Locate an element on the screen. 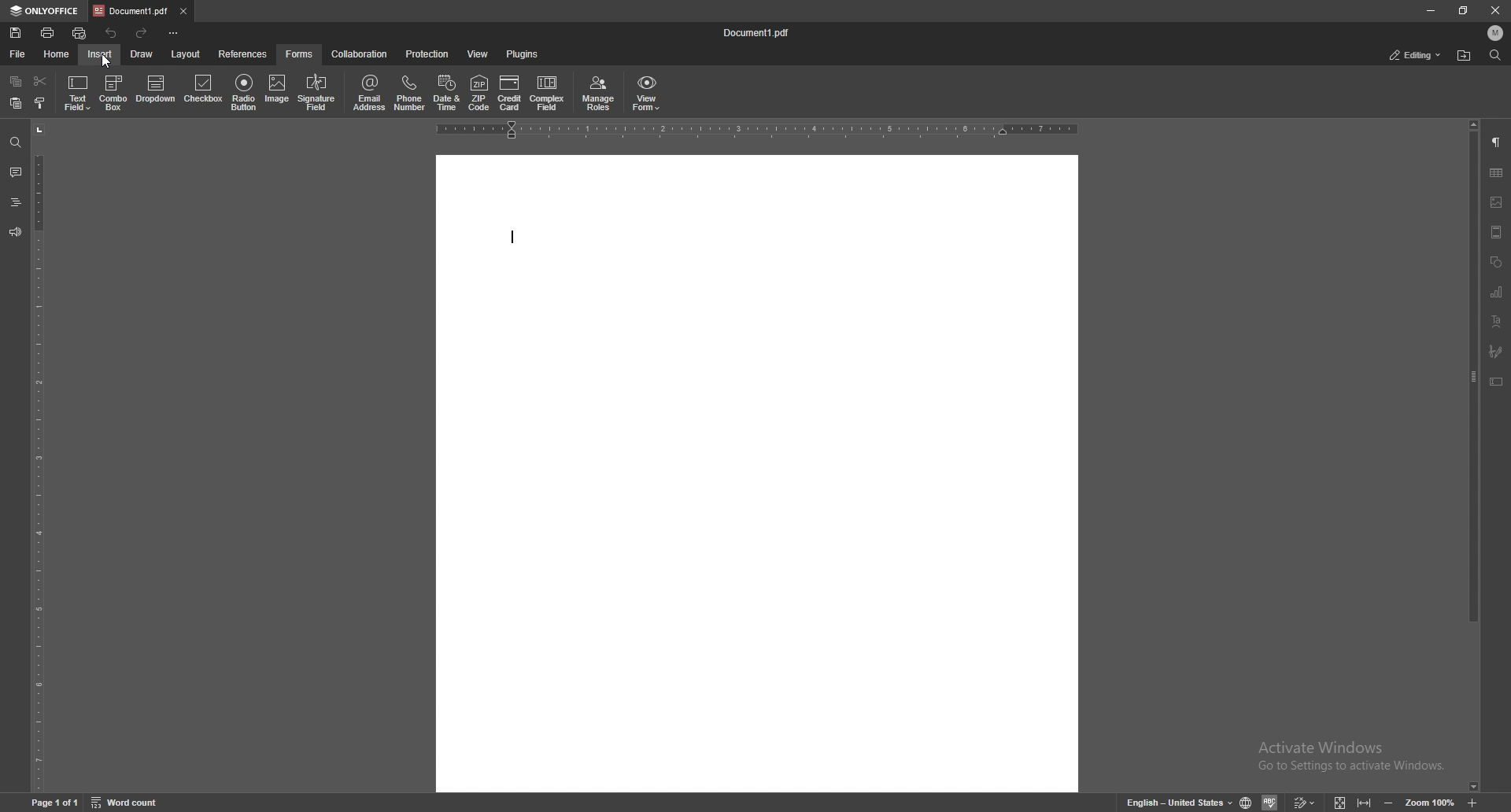 This screenshot has width=1511, height=812. dropdown is located at coordinates (156, 93).